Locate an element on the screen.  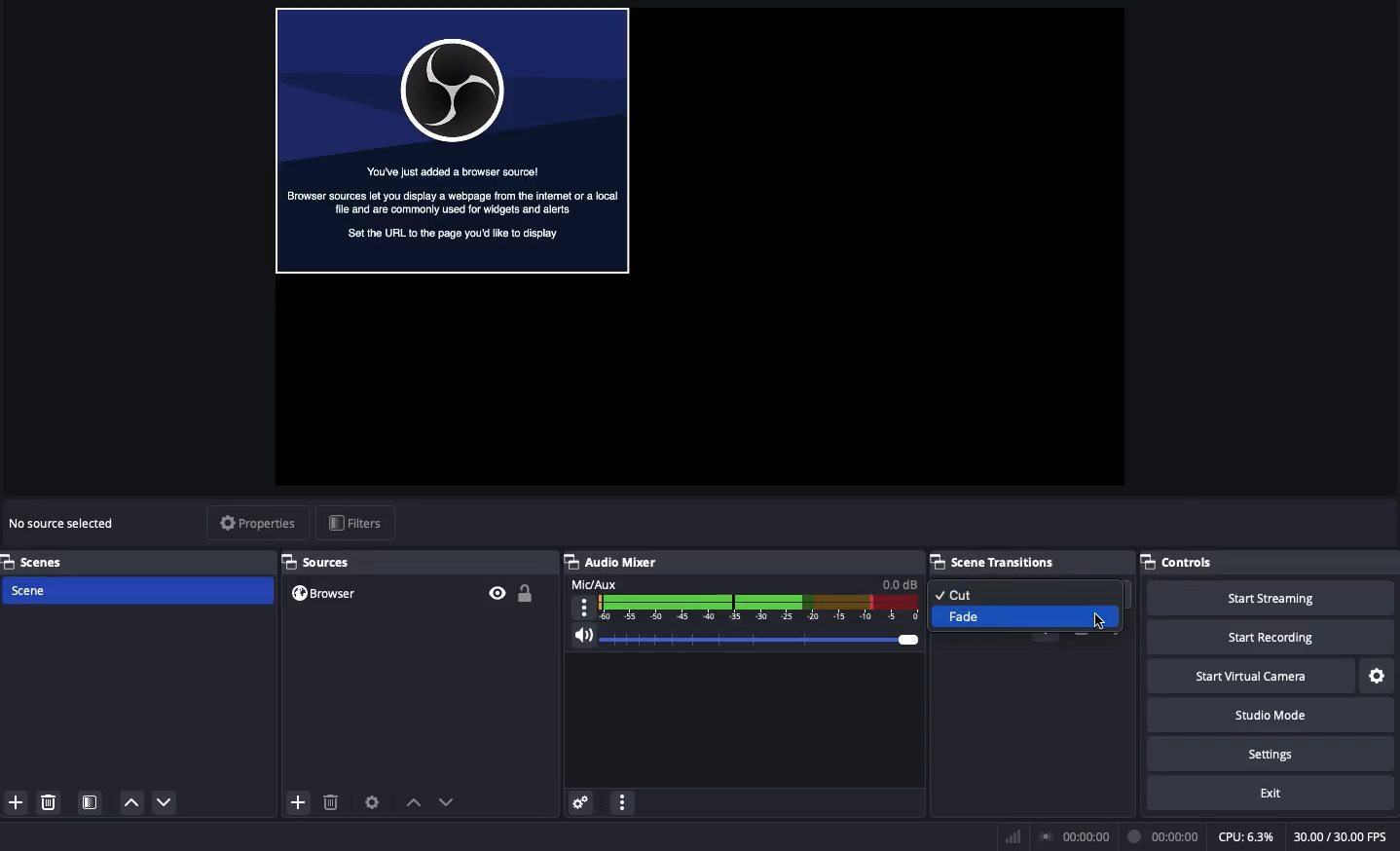
Sources is located at coordinates (317, 562).